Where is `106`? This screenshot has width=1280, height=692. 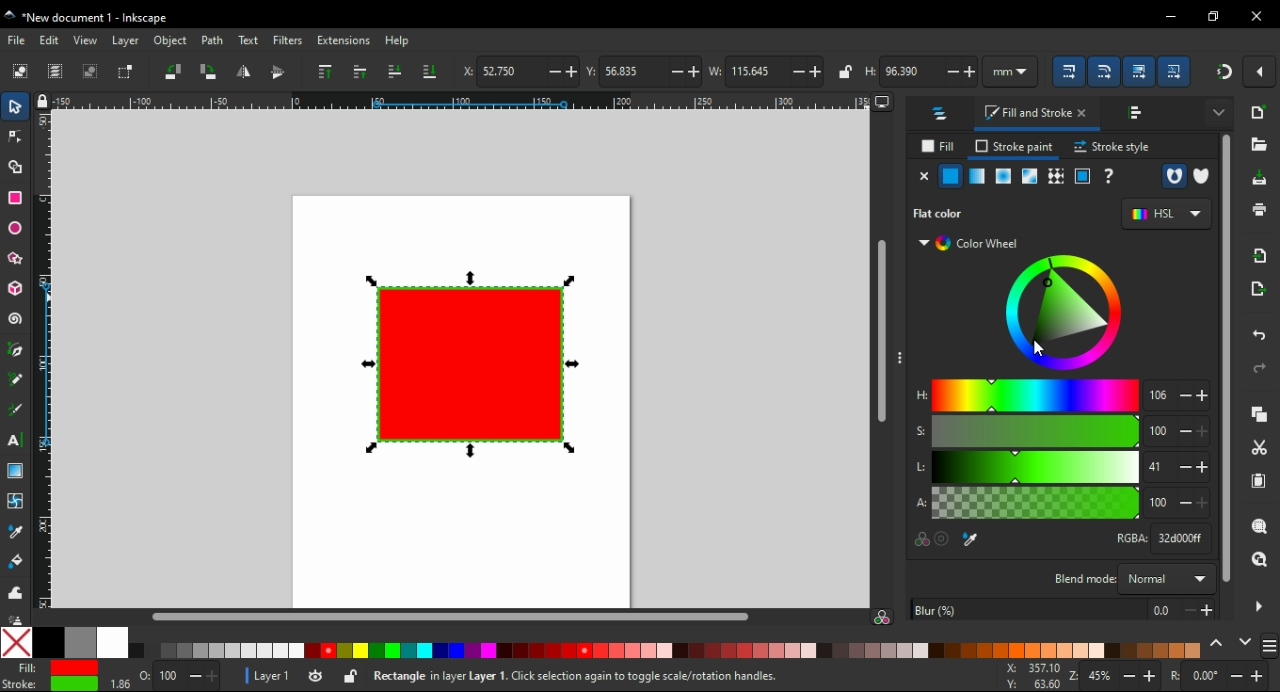 106 is located at coordinates (1160, 394).